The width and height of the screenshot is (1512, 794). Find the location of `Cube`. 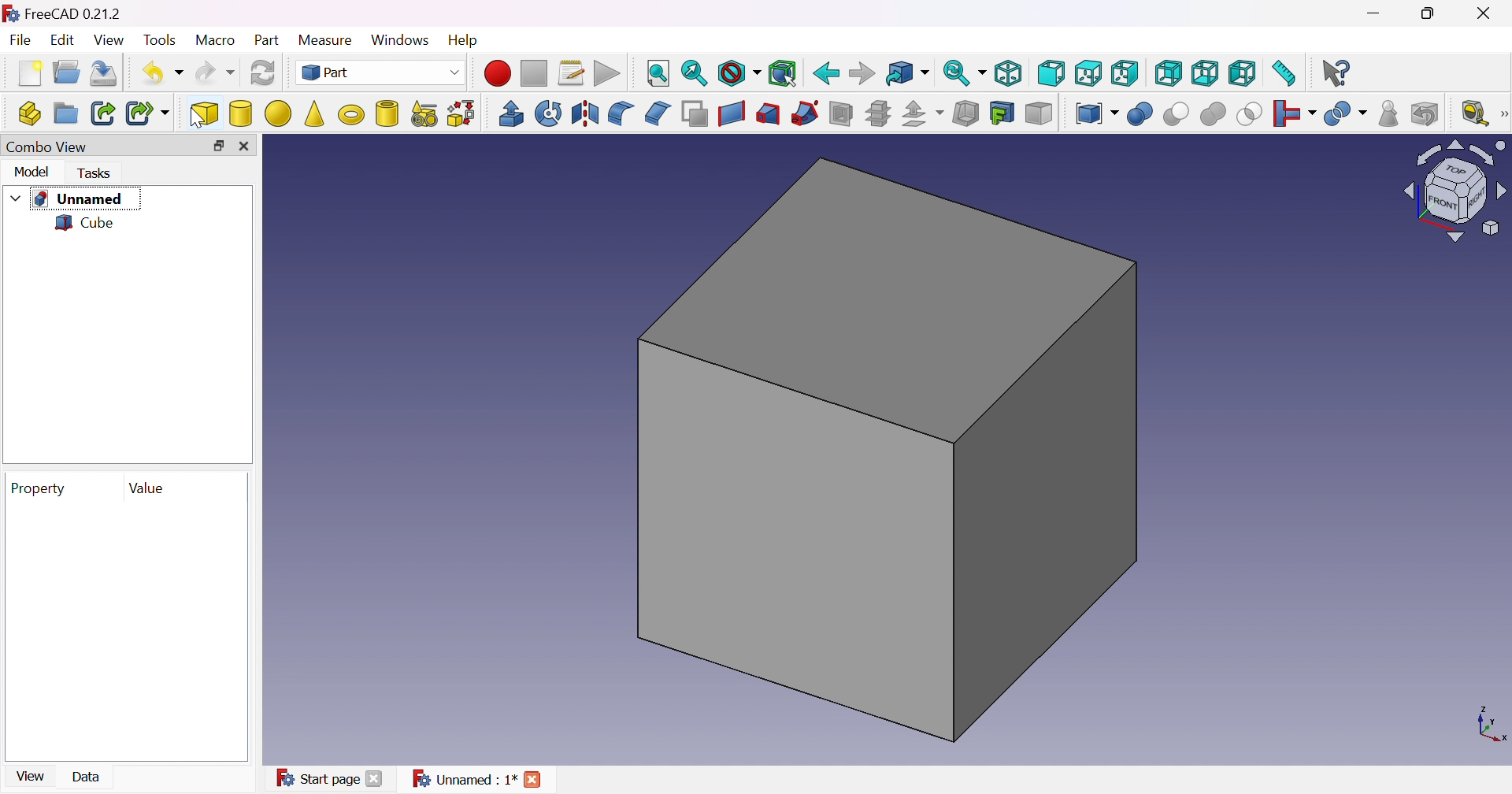

Cube is located at coordinates (888, 449).